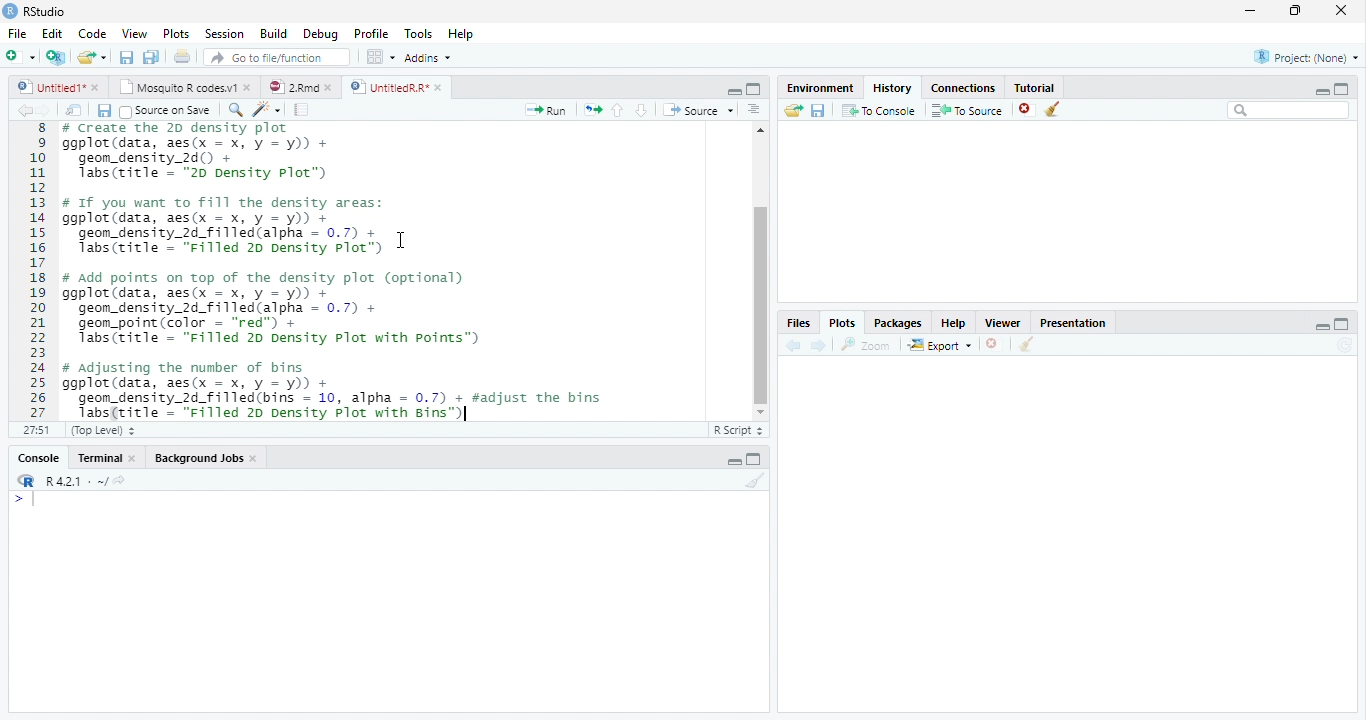 This screenshot has height=720, width=1366. Describe the element at coordinates (1026, 110) in the screenshot. I see `close` at that location.